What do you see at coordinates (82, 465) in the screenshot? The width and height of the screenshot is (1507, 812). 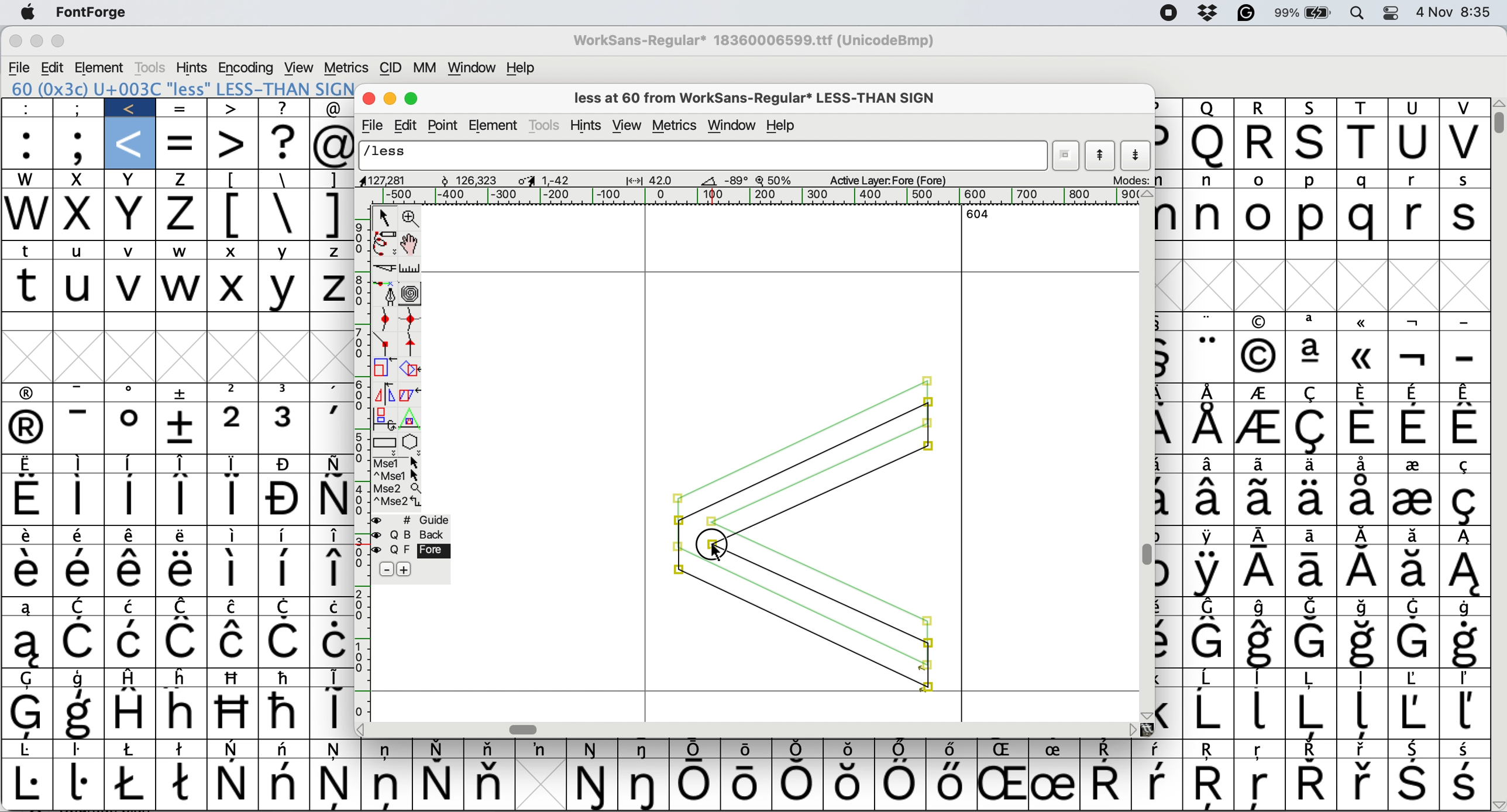 I see `Symbol` at bounding box center [82, 465].